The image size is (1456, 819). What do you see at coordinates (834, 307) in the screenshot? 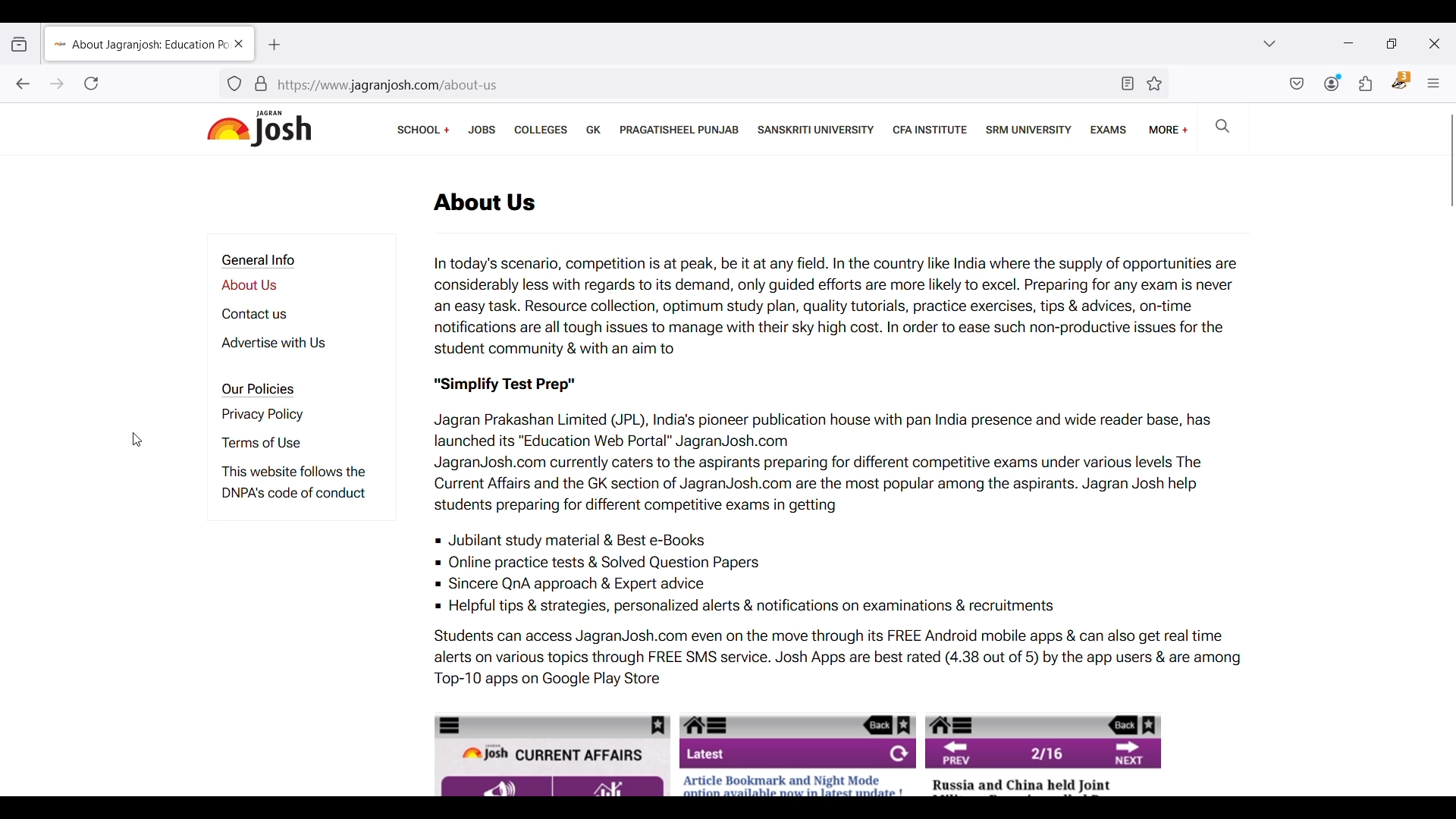
I see `In today's scenario, competition is at peak, be it at any field. In the country like India where the supply of opportunities are
considerably less with regards to its demand, only guided efforts are more likely to excel. Preparing for any exam is never
an easy task. Resource collection, optimum study plan, quality tutorials, practice exercises, tips & advices, on-time
notifications are all tough issues to manage with their sky high cost. In order to ease such non-productive issues for the
student community & with an aim to` at bounding box center [834, 307].